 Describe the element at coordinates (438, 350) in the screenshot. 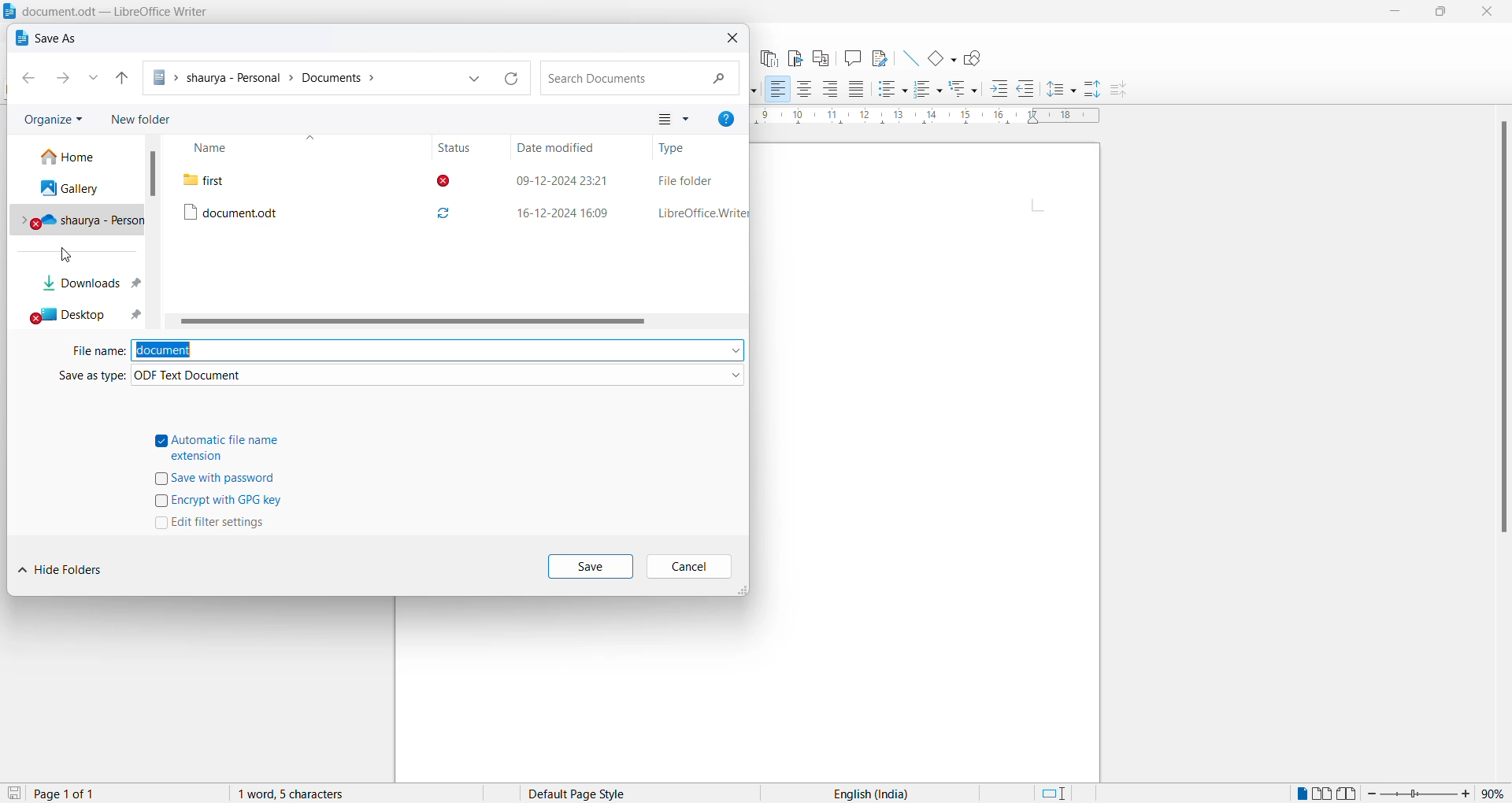

I see `file name` at that location.